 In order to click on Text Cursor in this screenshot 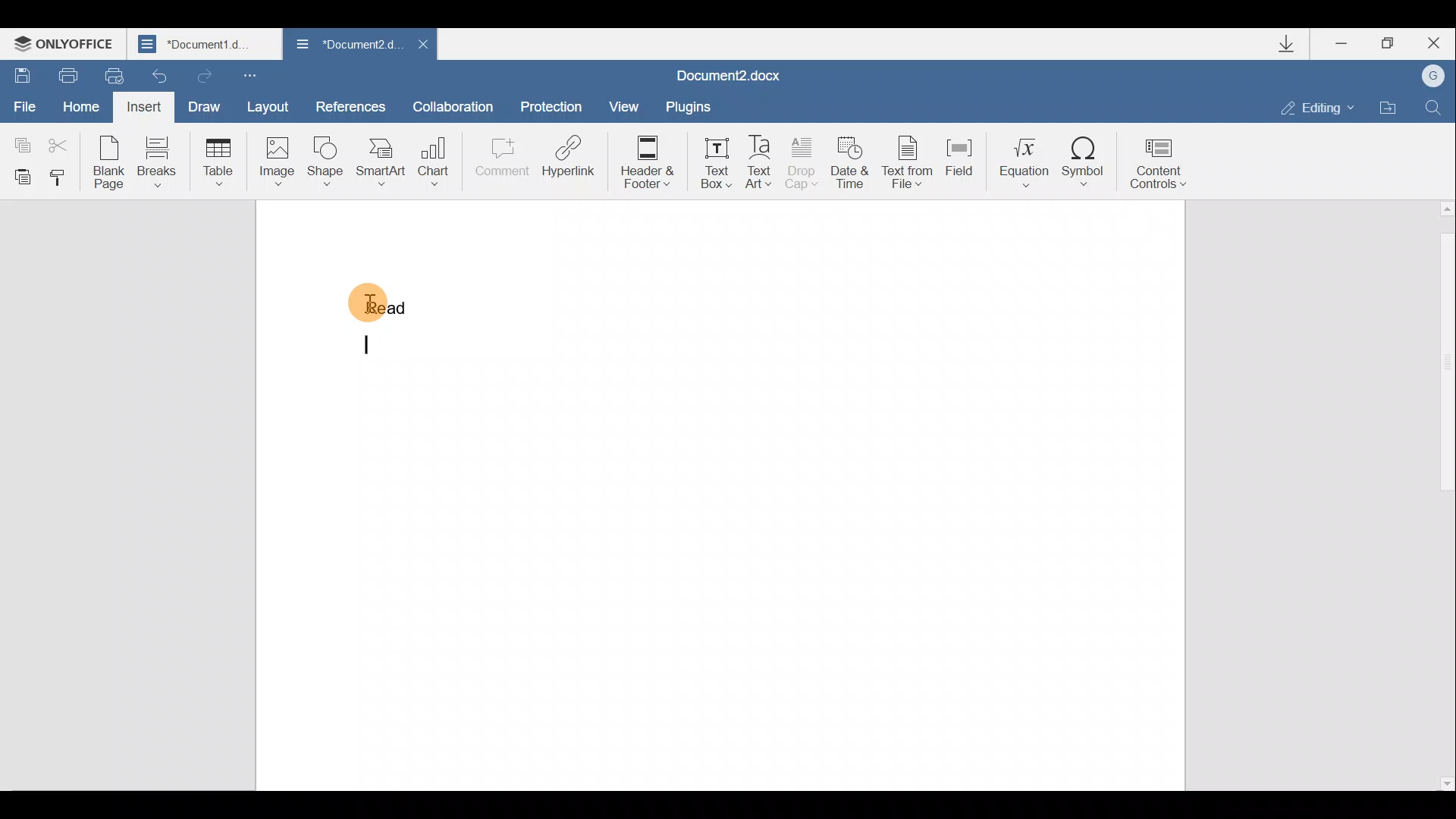, I will do `click(372, 350)`.